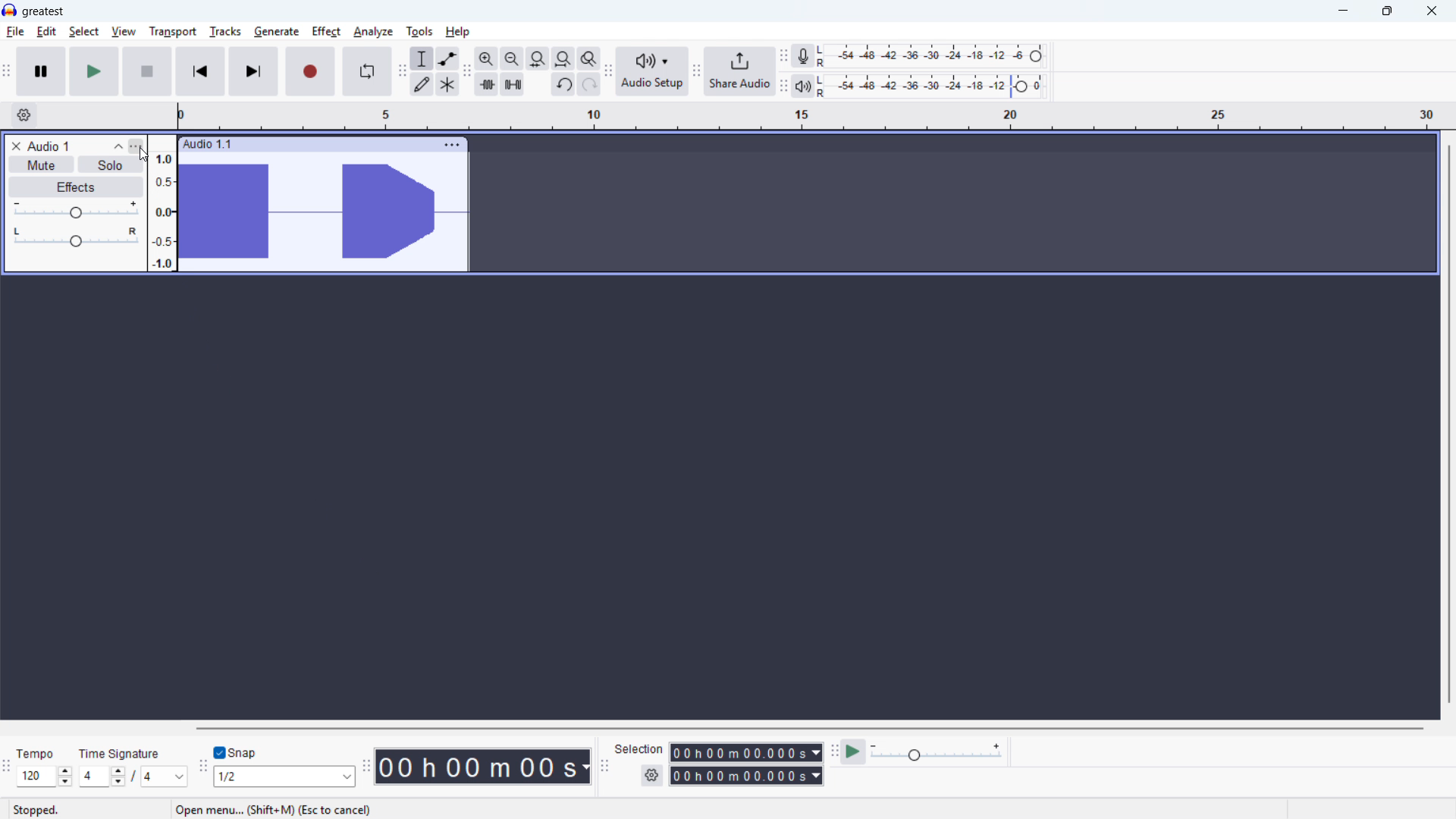 The width and height of the screenshot is (1456, 819). Describe the element at coordinates (372, 33) in the screenshot. I see `Analyse ` at that location.